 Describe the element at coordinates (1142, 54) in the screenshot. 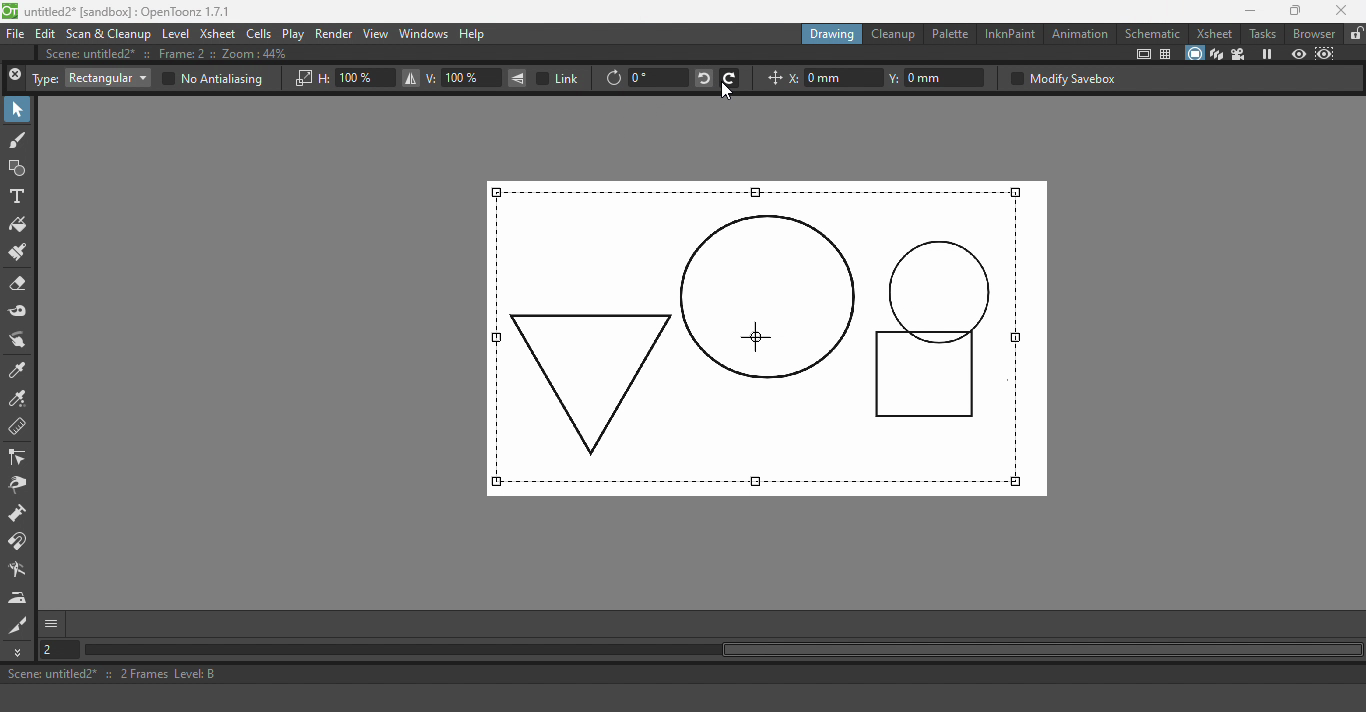

I see `Safe area` at that location.